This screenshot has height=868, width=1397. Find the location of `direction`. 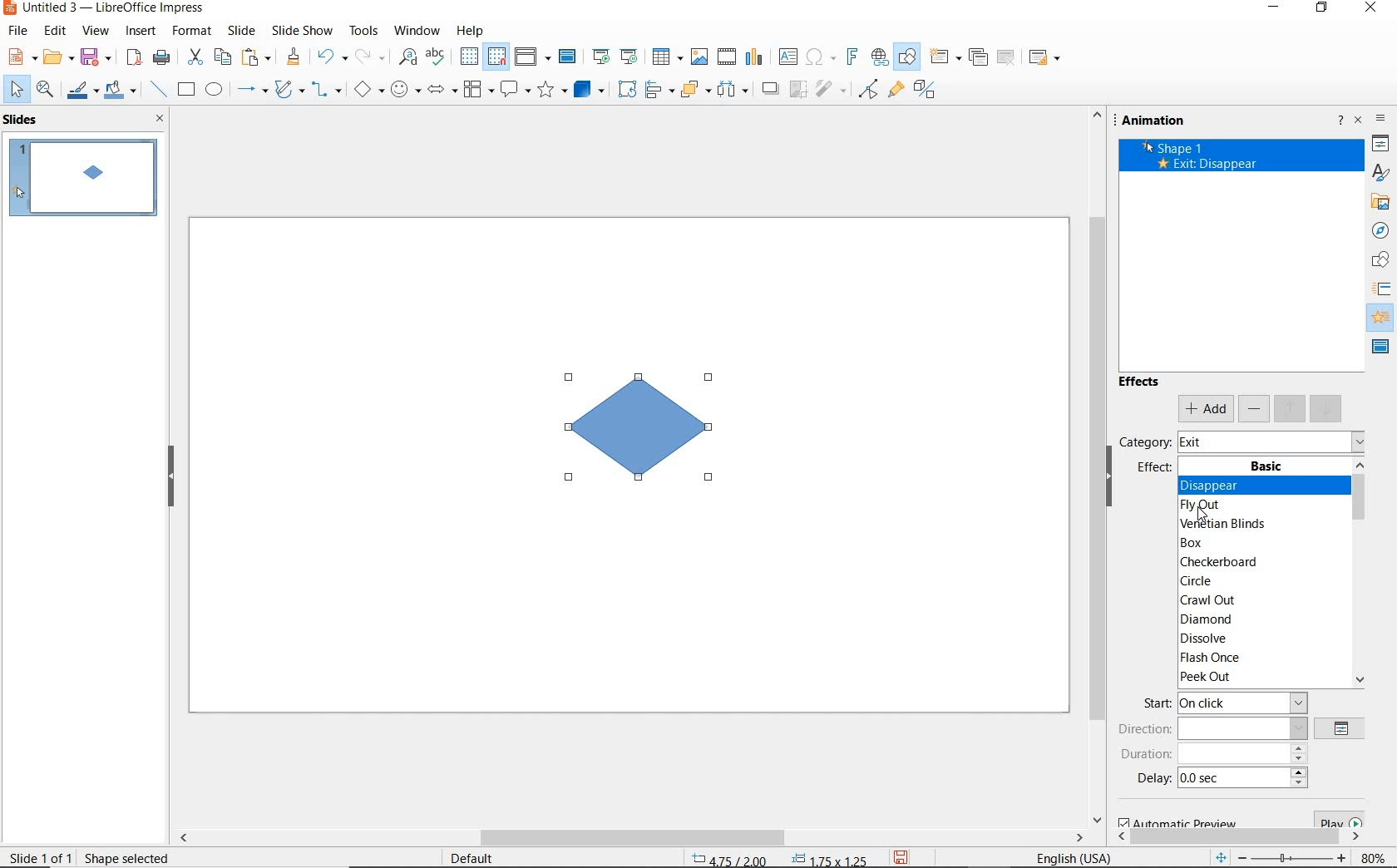

direction is located at coordinates (1208, 728).